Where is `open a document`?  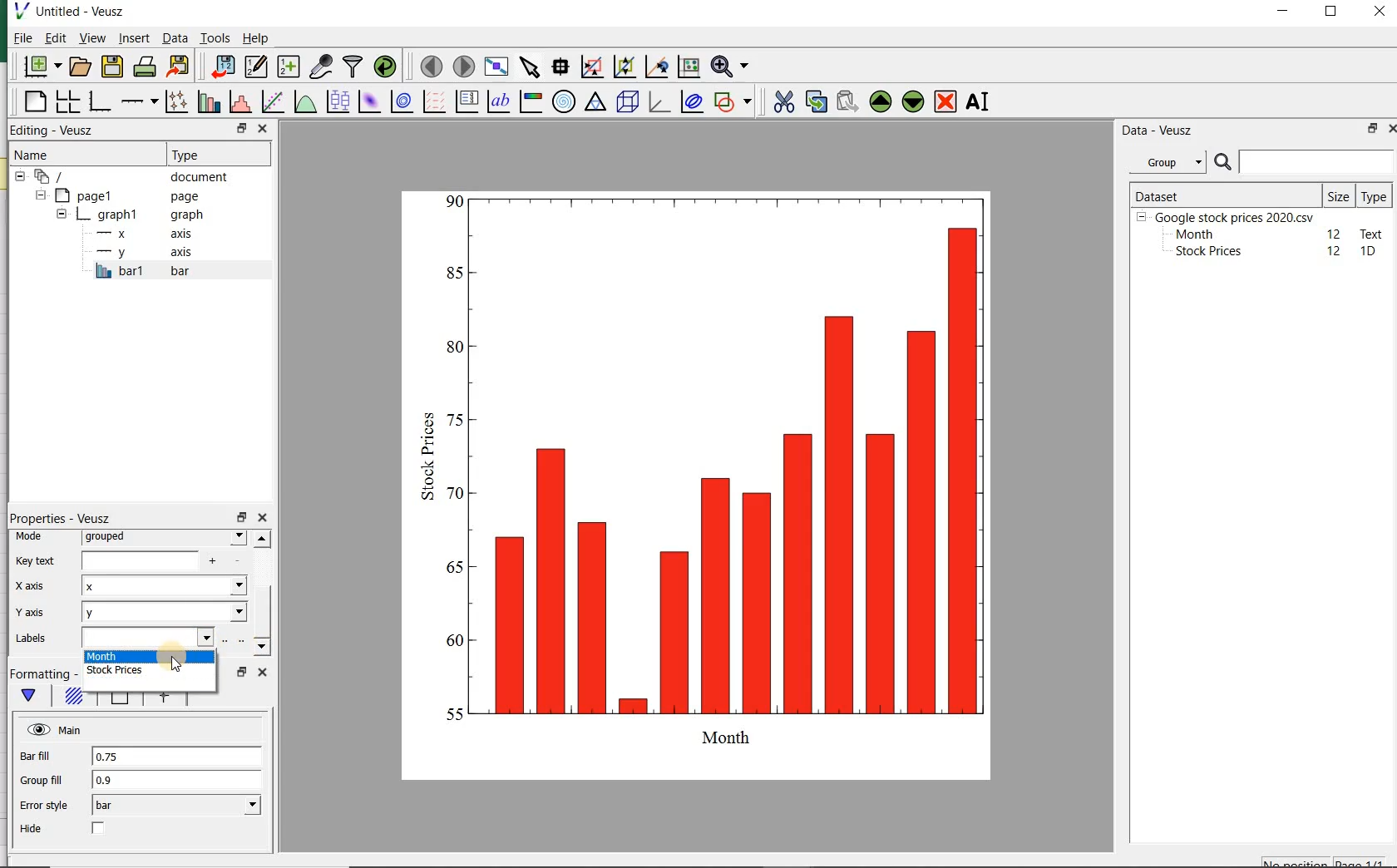
open a document is located at coordinates (81, 66).